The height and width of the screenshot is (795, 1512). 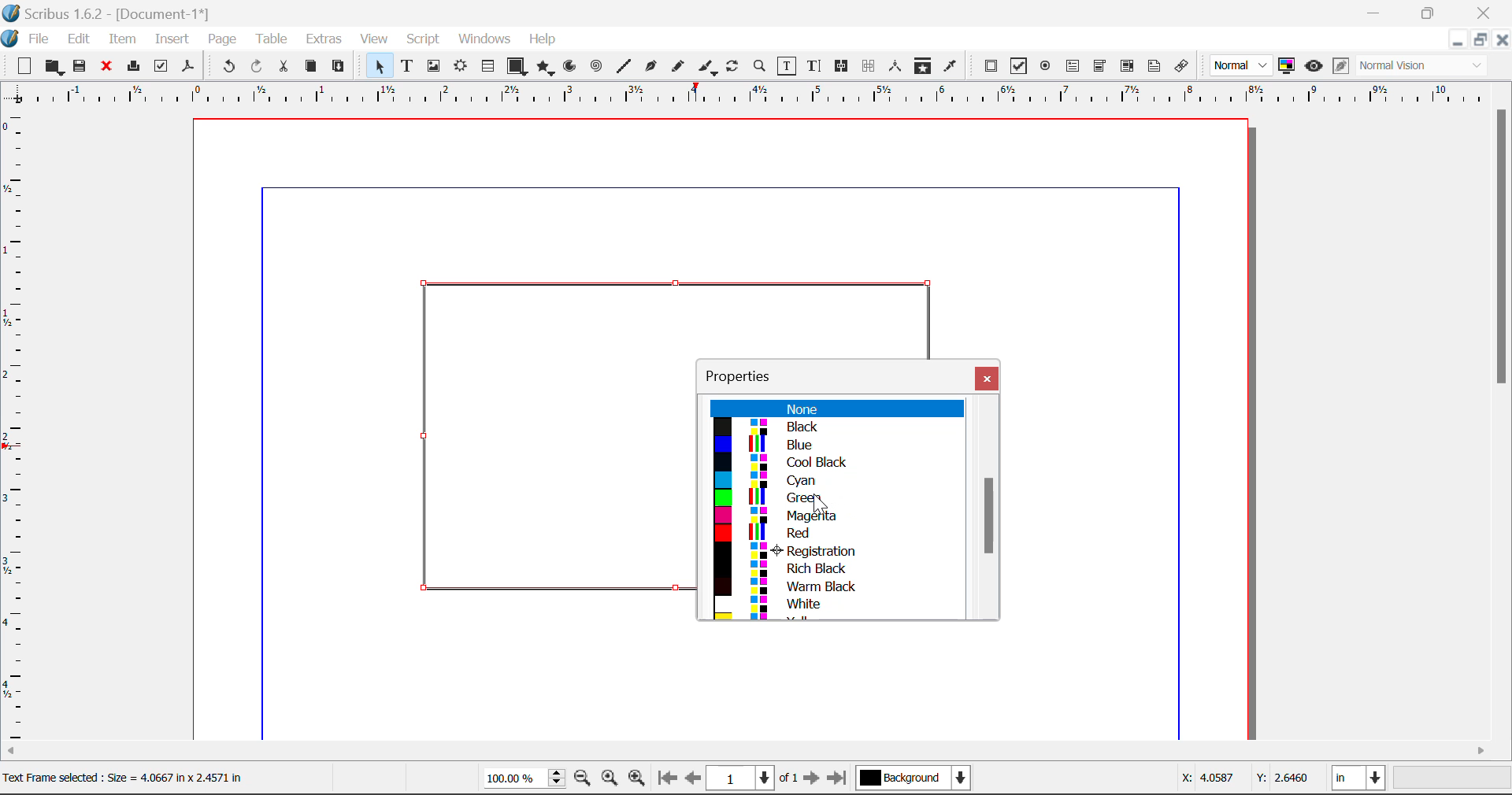 I want to click on Measurements, so click(x=898, y=66).